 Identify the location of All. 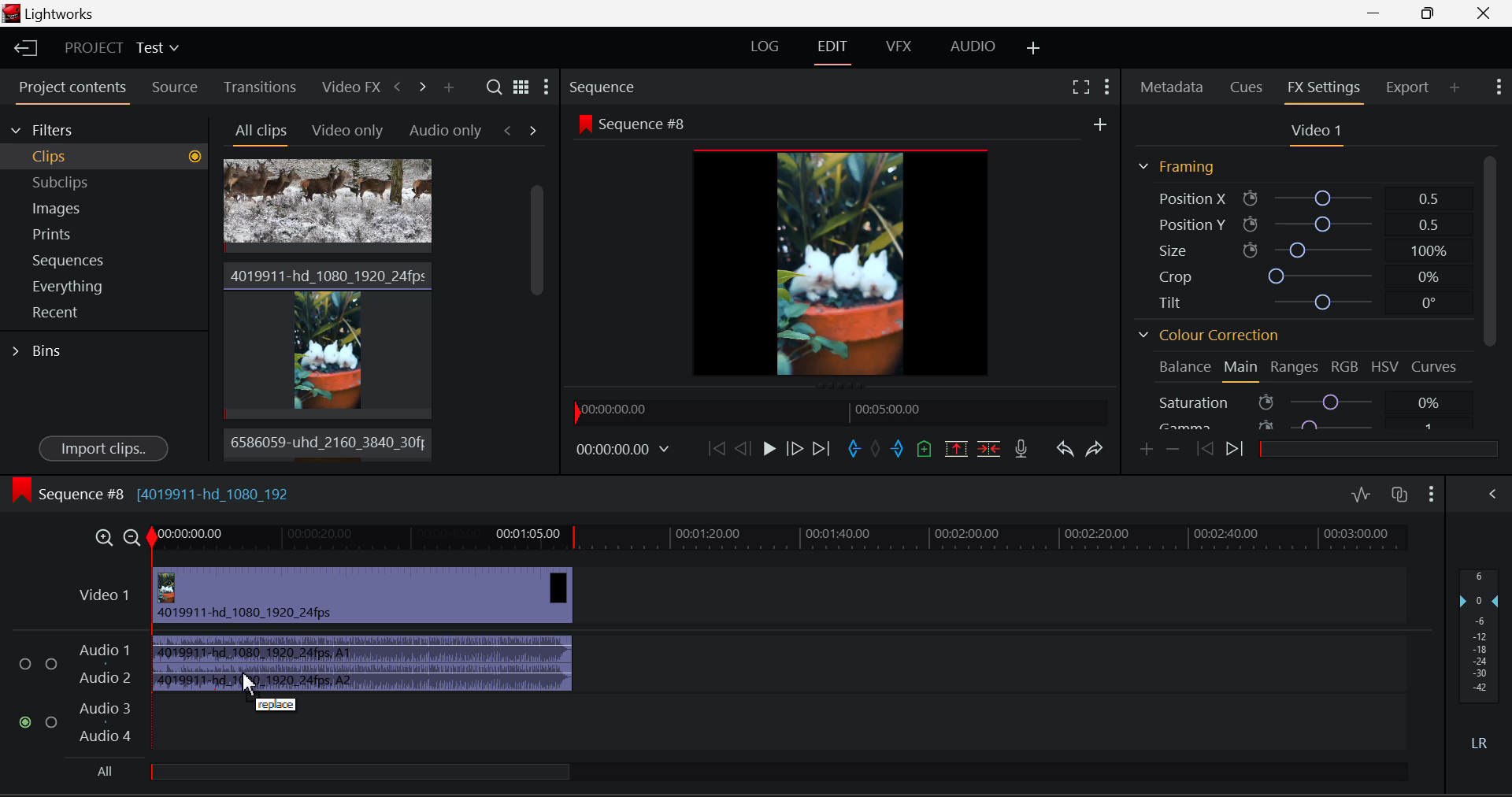
(336, 770).